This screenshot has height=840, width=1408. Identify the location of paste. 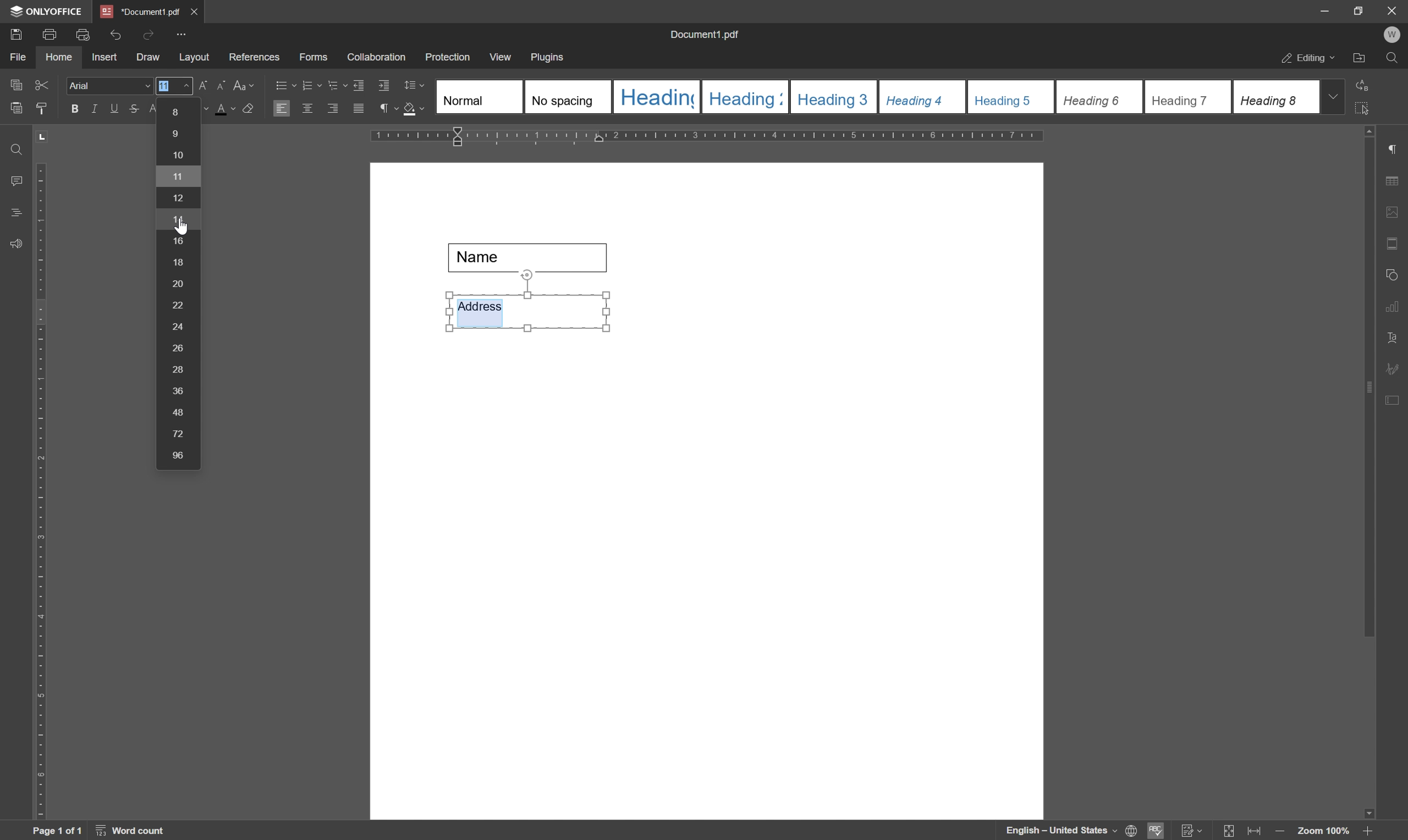
(17, 109).